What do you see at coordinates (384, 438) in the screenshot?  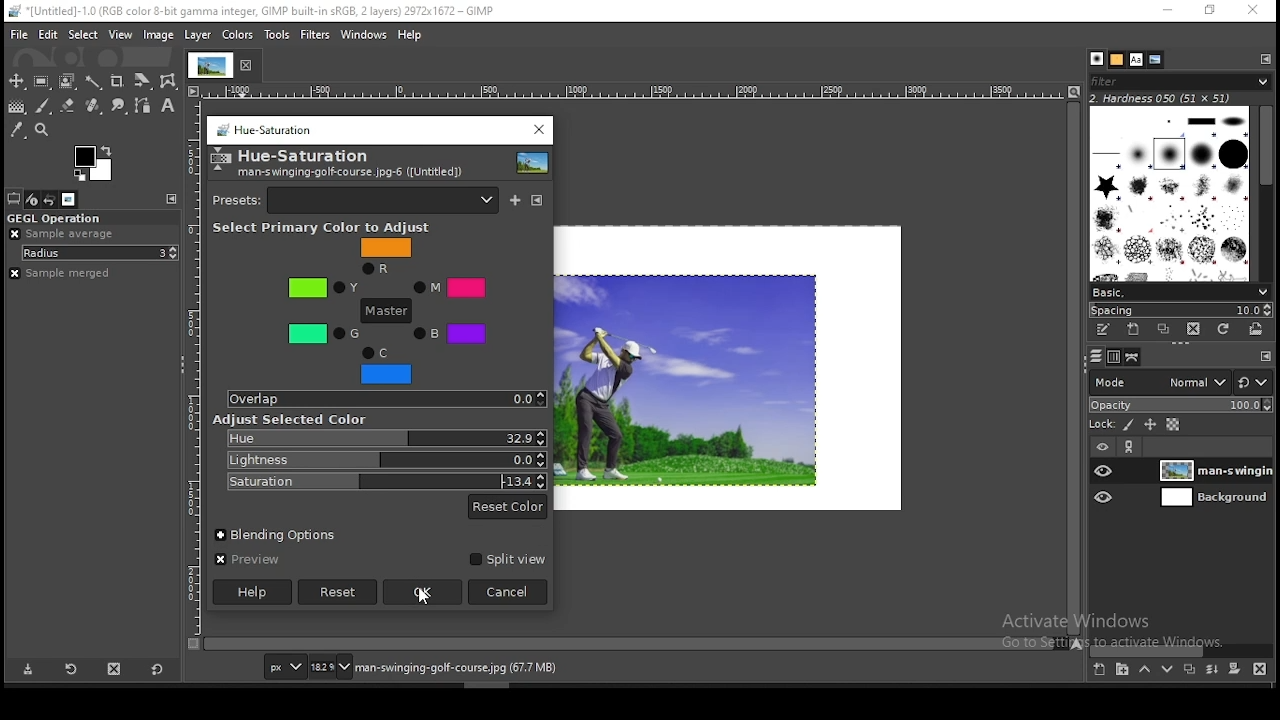 I see `hue` at bounding box center [384, 438].